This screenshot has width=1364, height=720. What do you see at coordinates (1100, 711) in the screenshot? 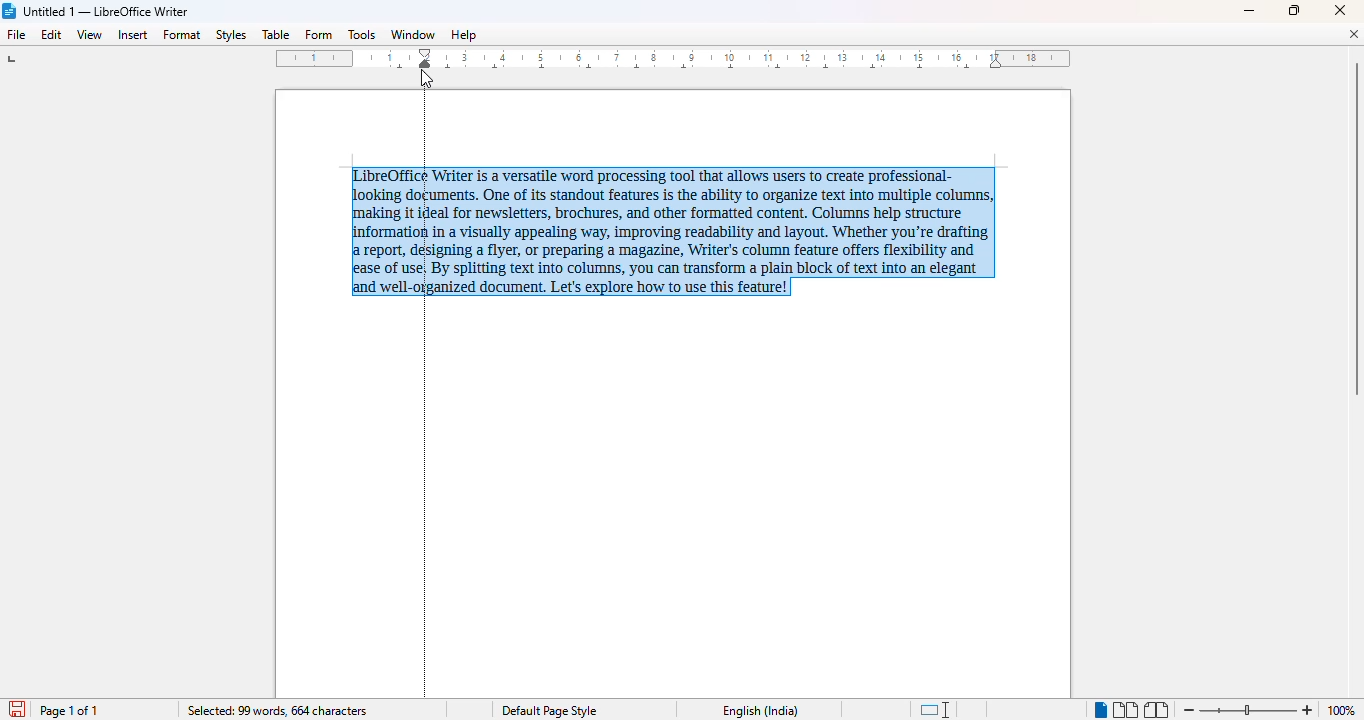
I see `single-page view` at bounding box center [1100, 711].